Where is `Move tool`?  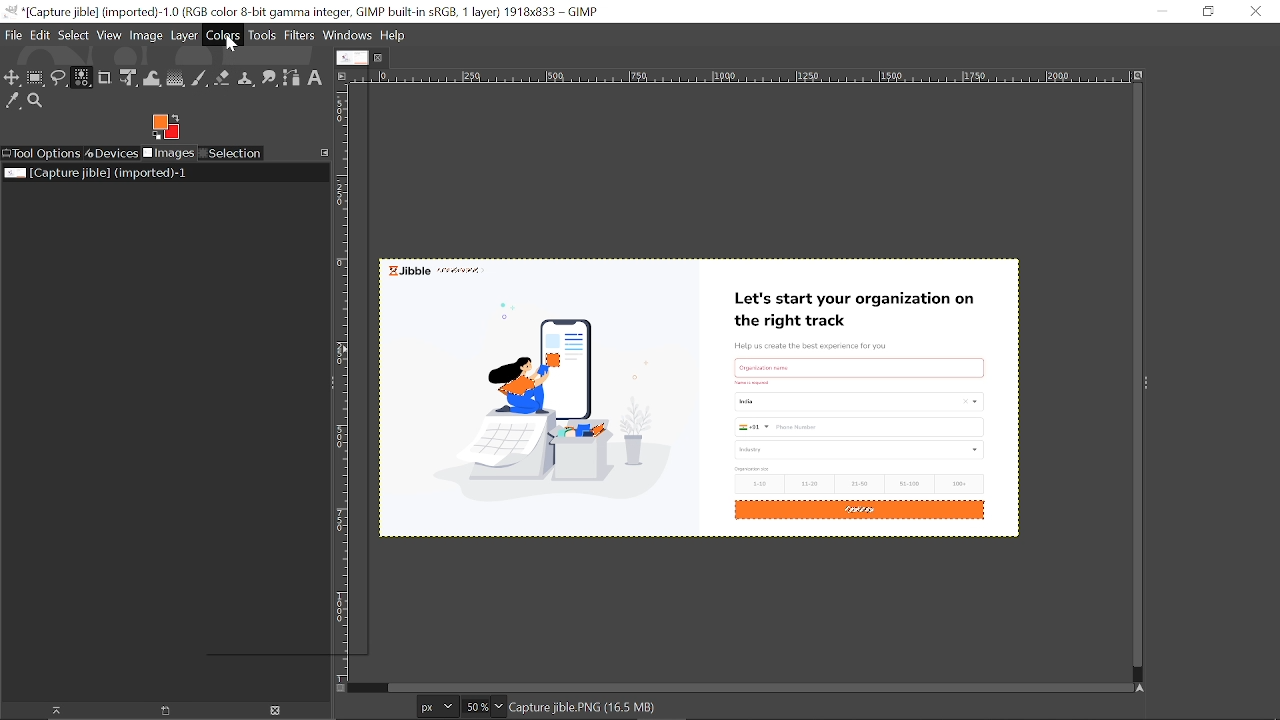
Move tool is located at coordinates (12, 79).